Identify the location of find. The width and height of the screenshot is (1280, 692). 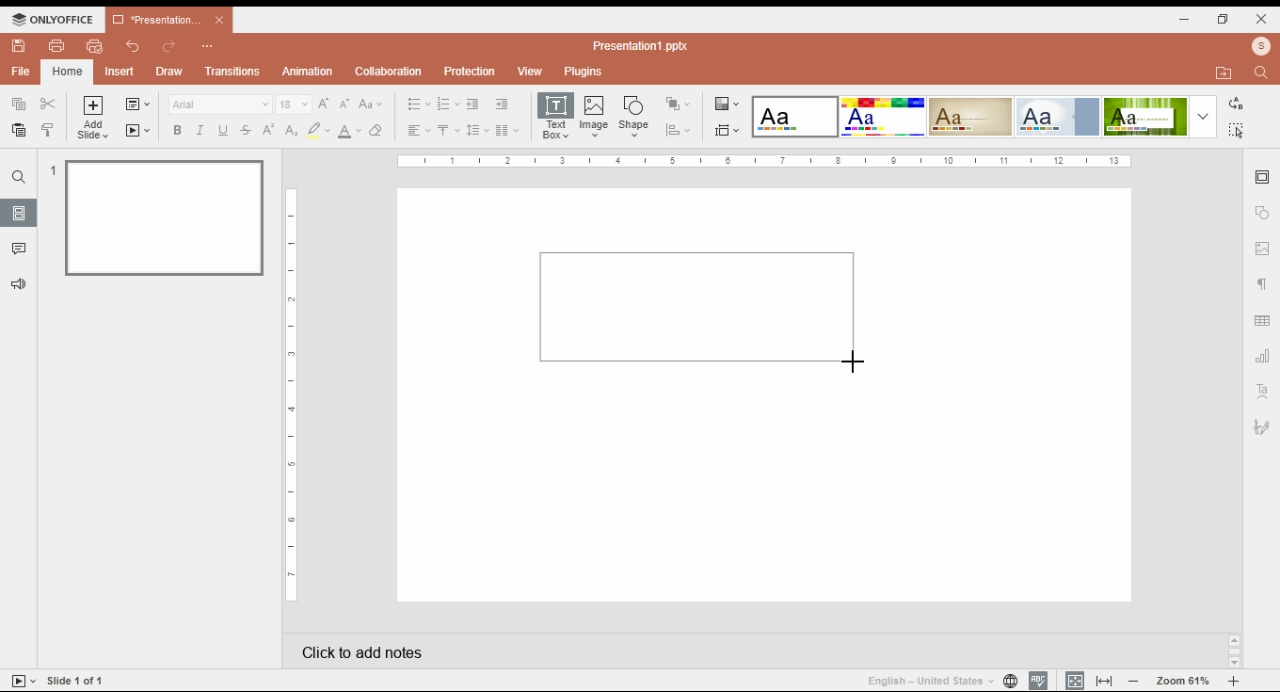
(18, 177).